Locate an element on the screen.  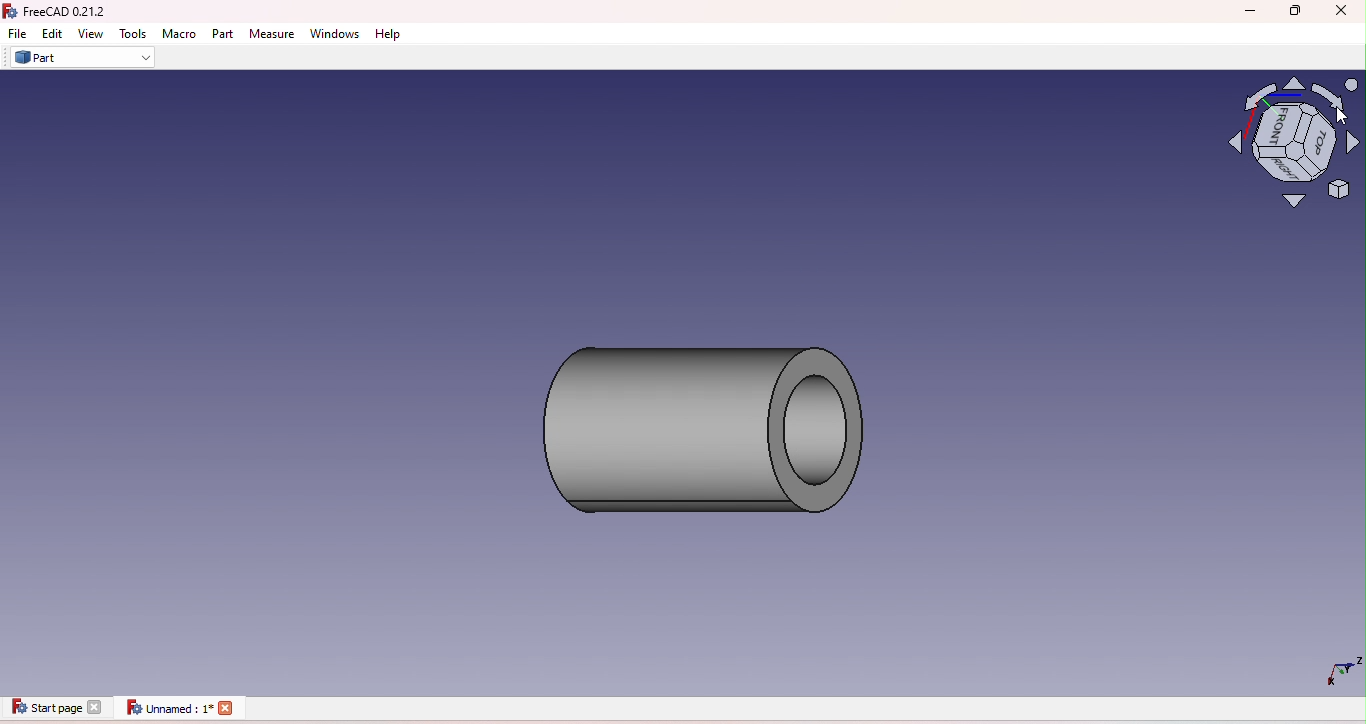
Edit is located at coordinates (54, 34).